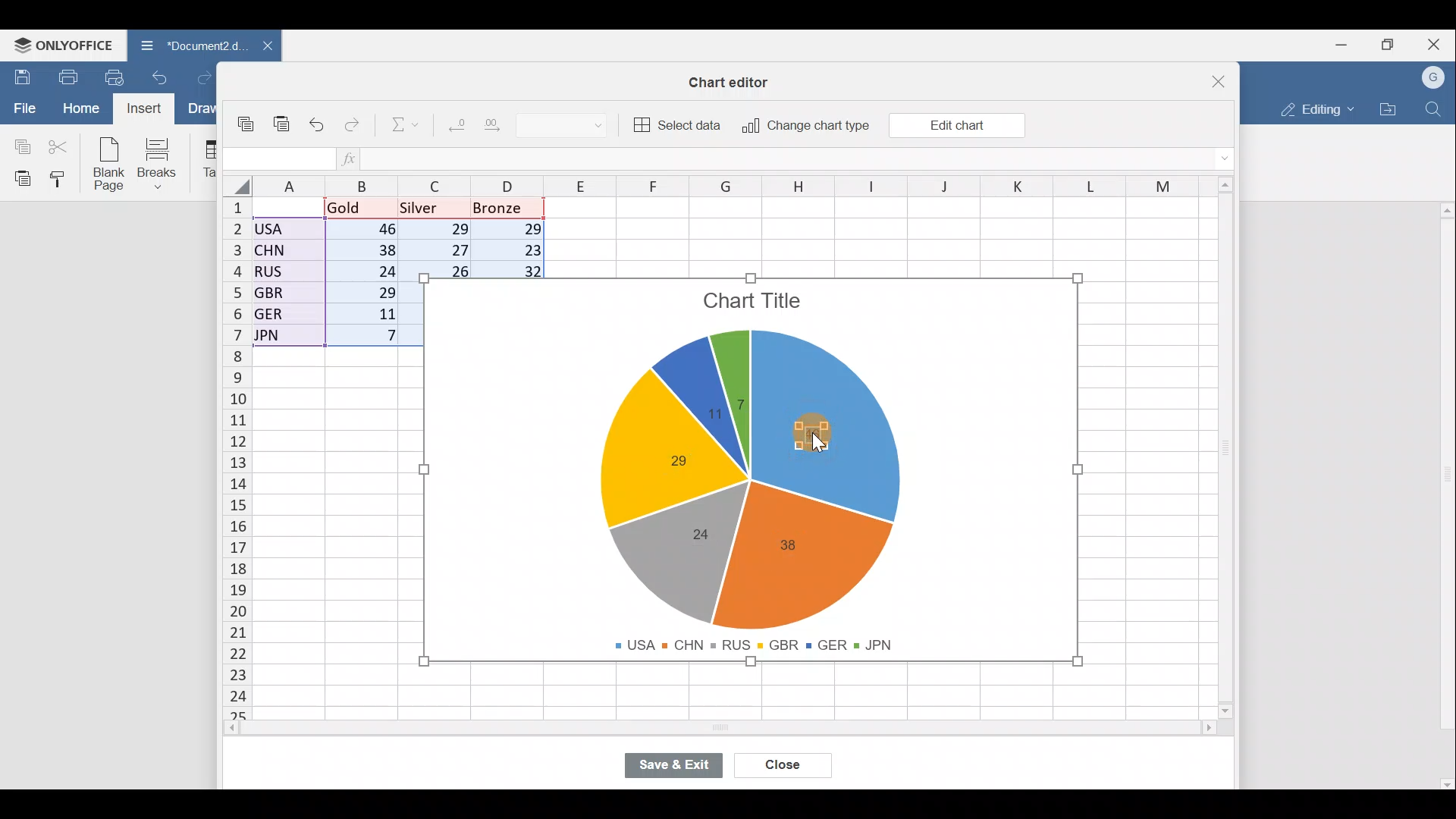 This screenshot has height=819, width=1456. I want to click on Select data, so click(676, 123).